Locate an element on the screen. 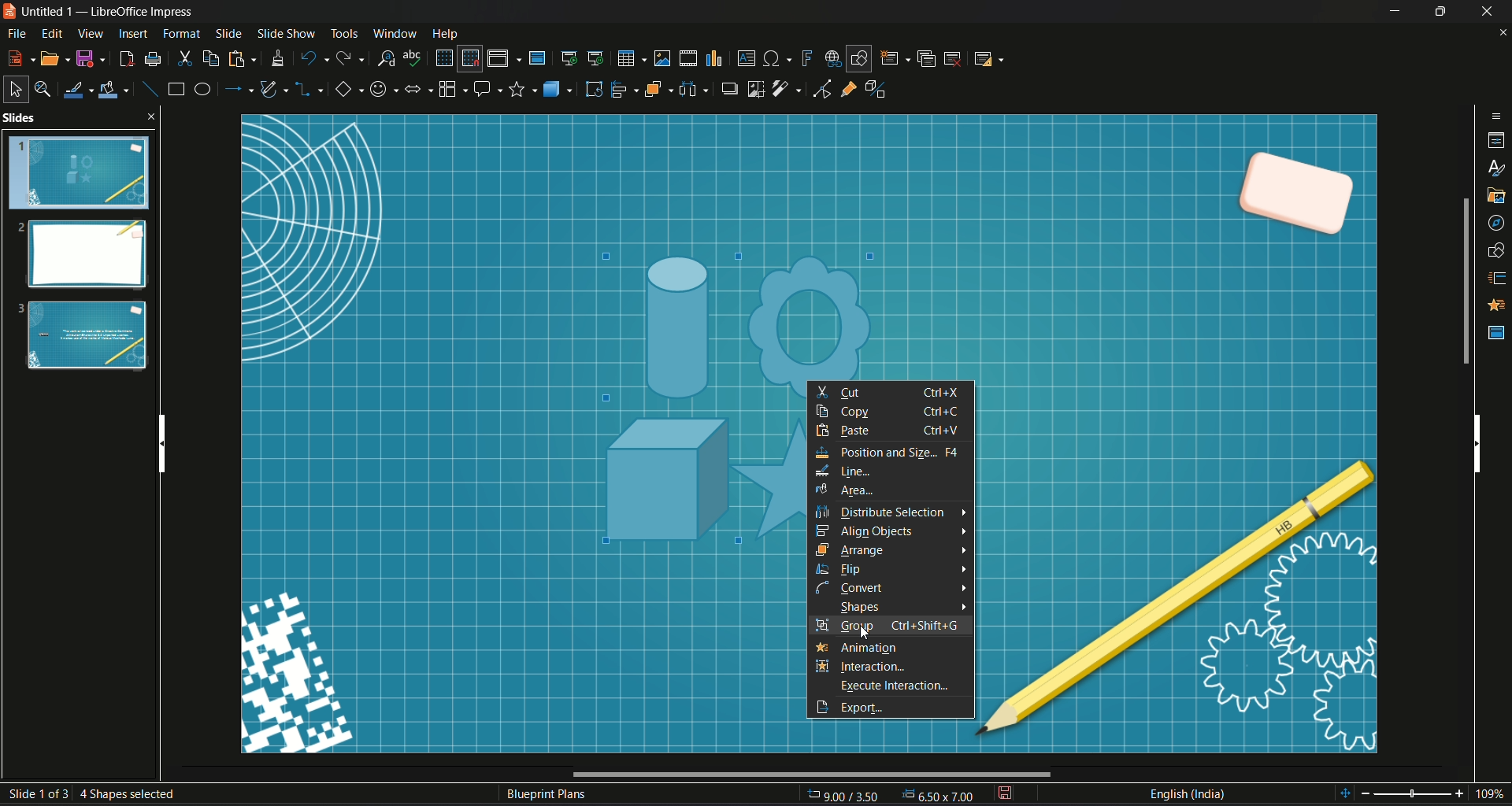  insert line is located at coordinates (149, 89).